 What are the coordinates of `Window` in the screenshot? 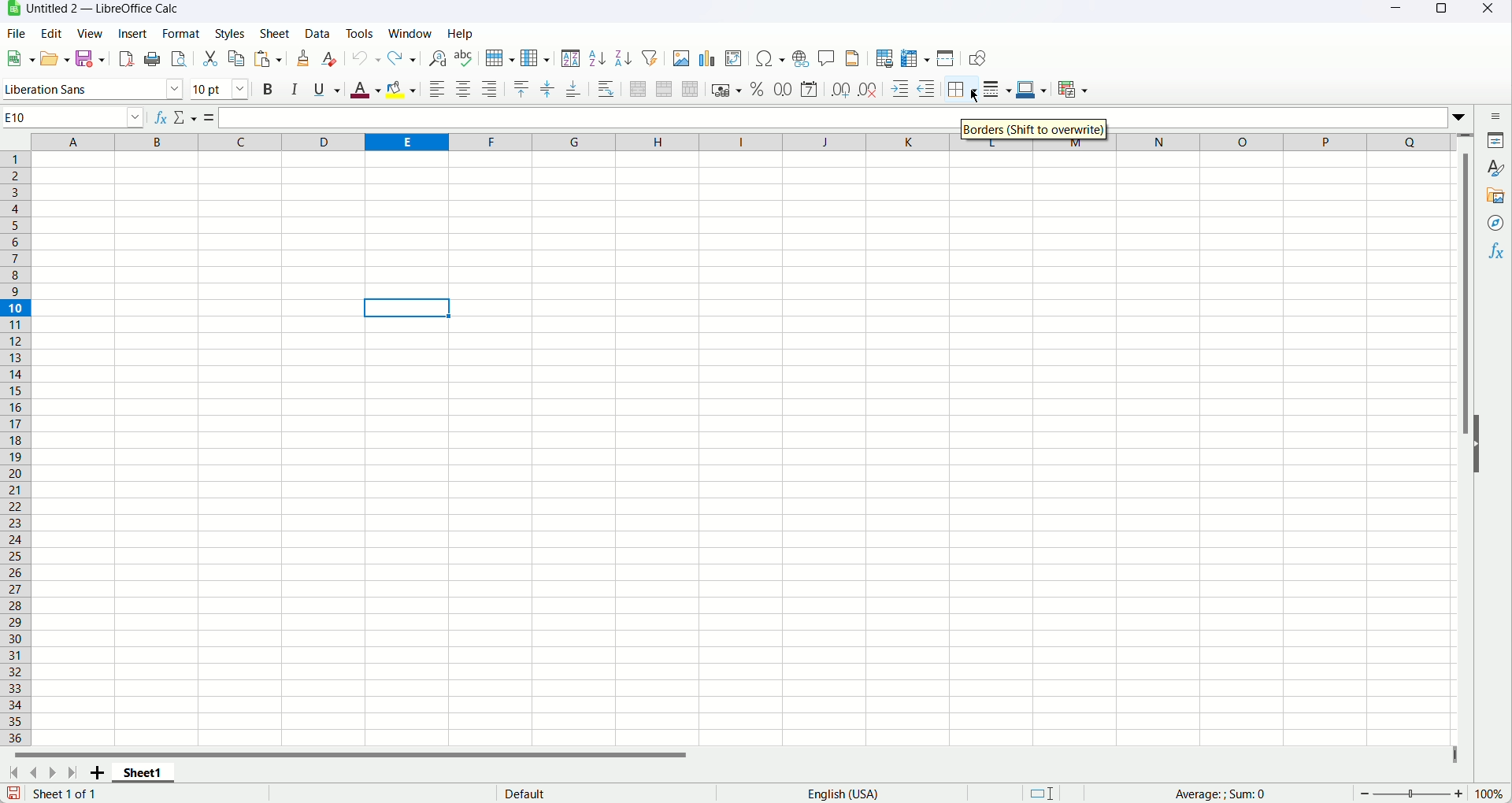 It's located at (411, 33).